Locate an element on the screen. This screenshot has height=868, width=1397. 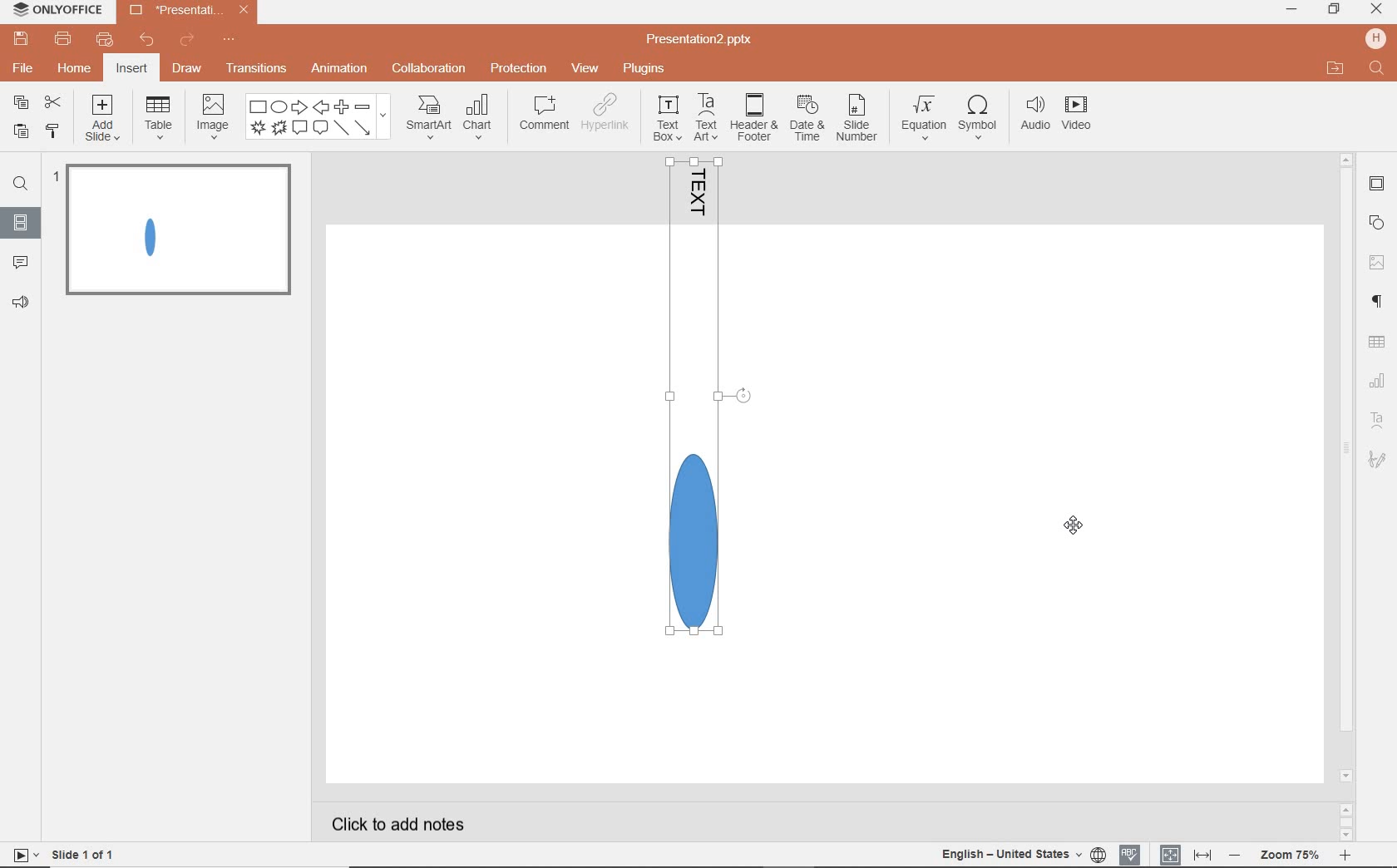
FIND is located at coordinates (1379, 70).